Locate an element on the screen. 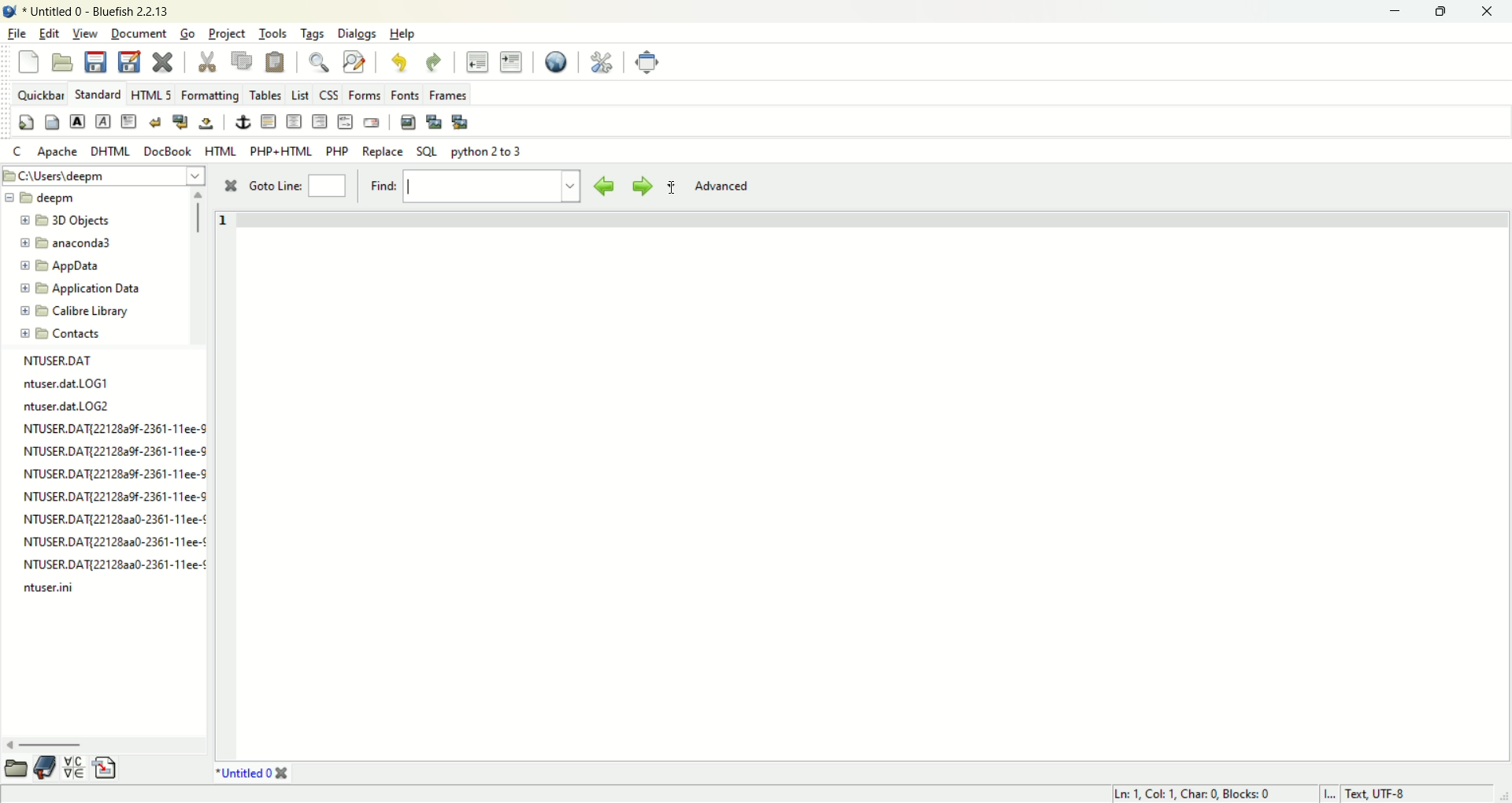 The height and width of the screenshot is (803, 1512). edit preferences is located at coordinates (601, 61).